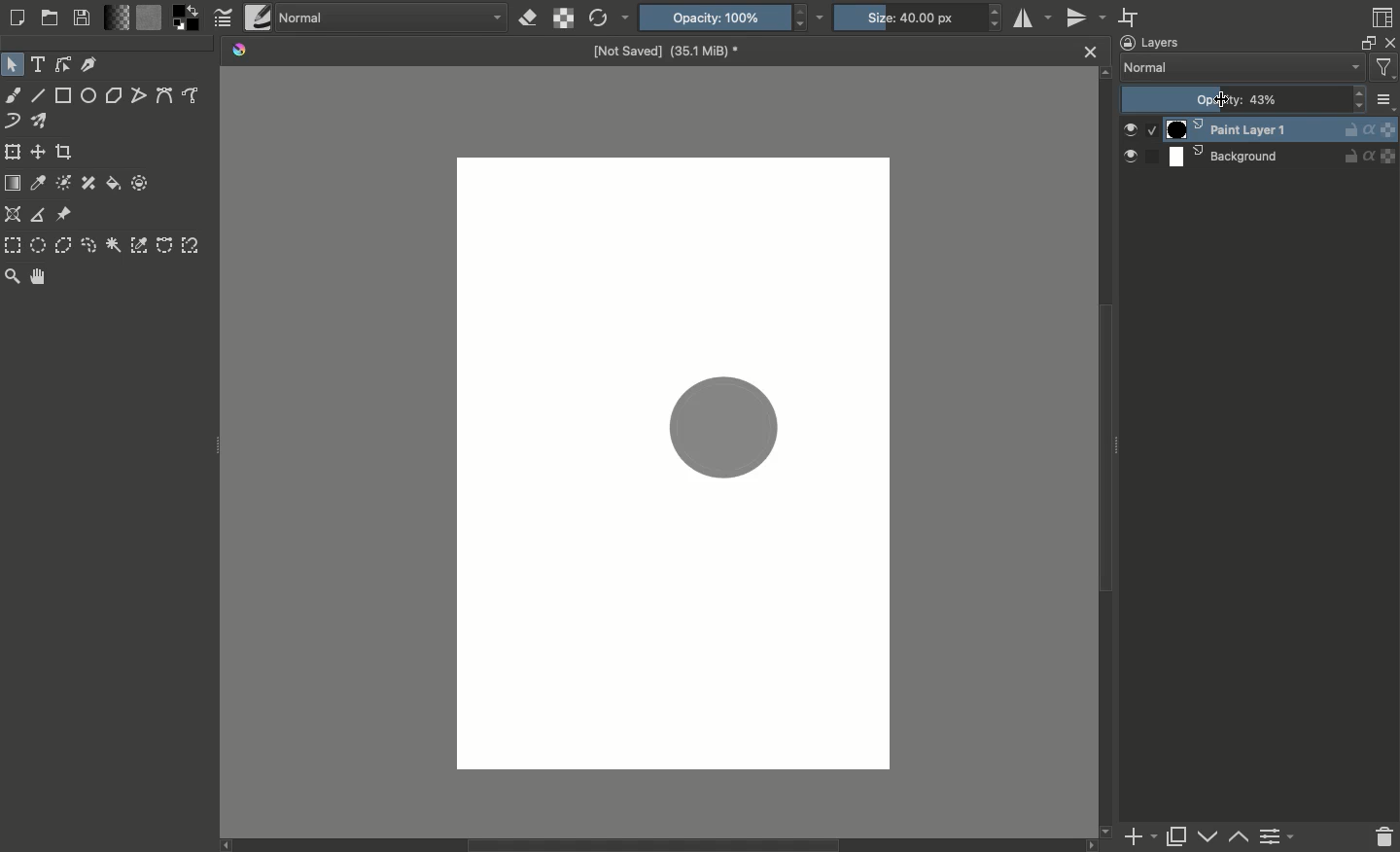 The image size is (1400, 852). What do you see at coordinates (65, 64) in the screenshot?
I see `Shapes` at bounding box center [65, 64].